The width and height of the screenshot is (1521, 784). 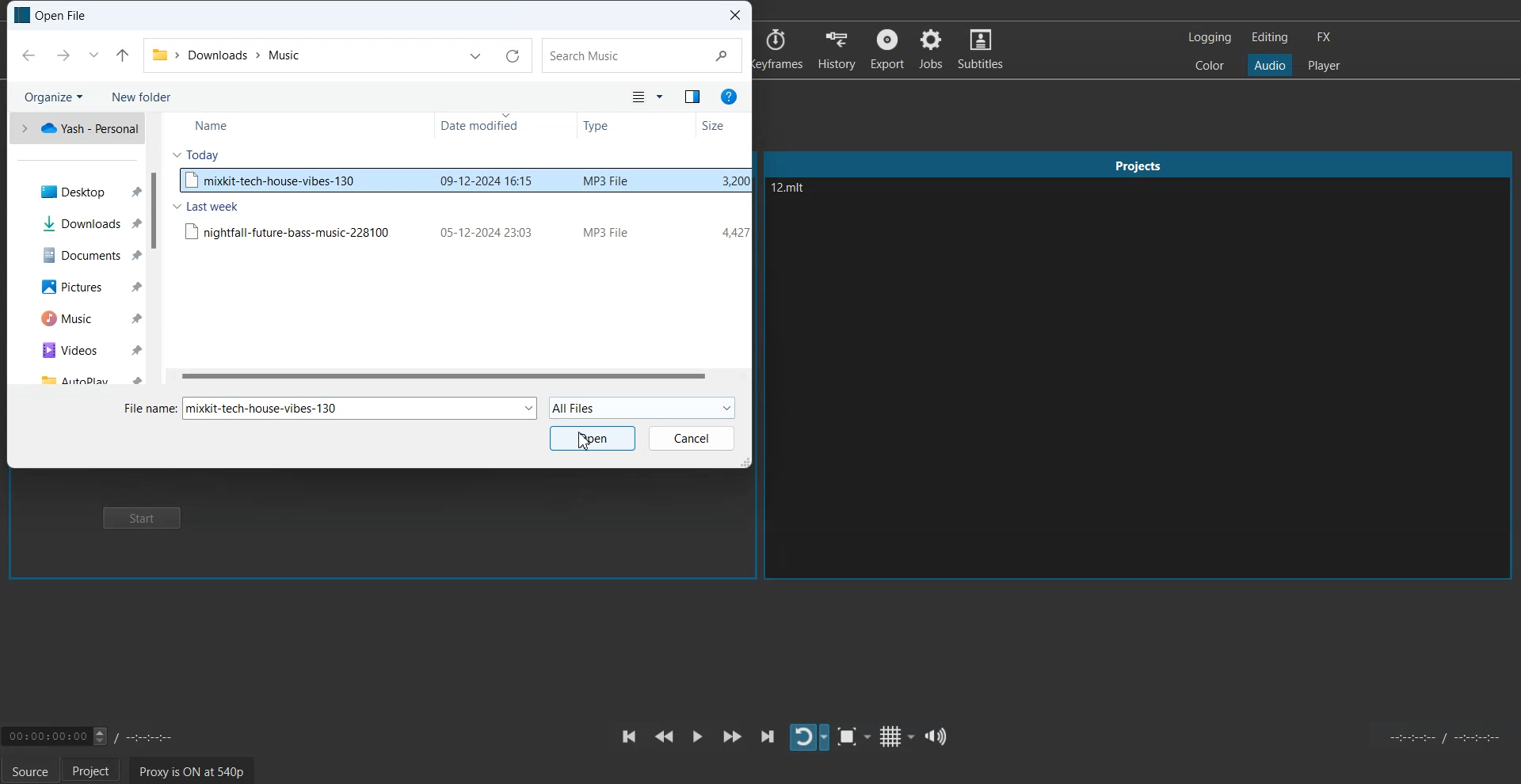 What do you see at coordinates (74, 254) in the screenshot?
I see `Documents` at bounding box center [74, 254].